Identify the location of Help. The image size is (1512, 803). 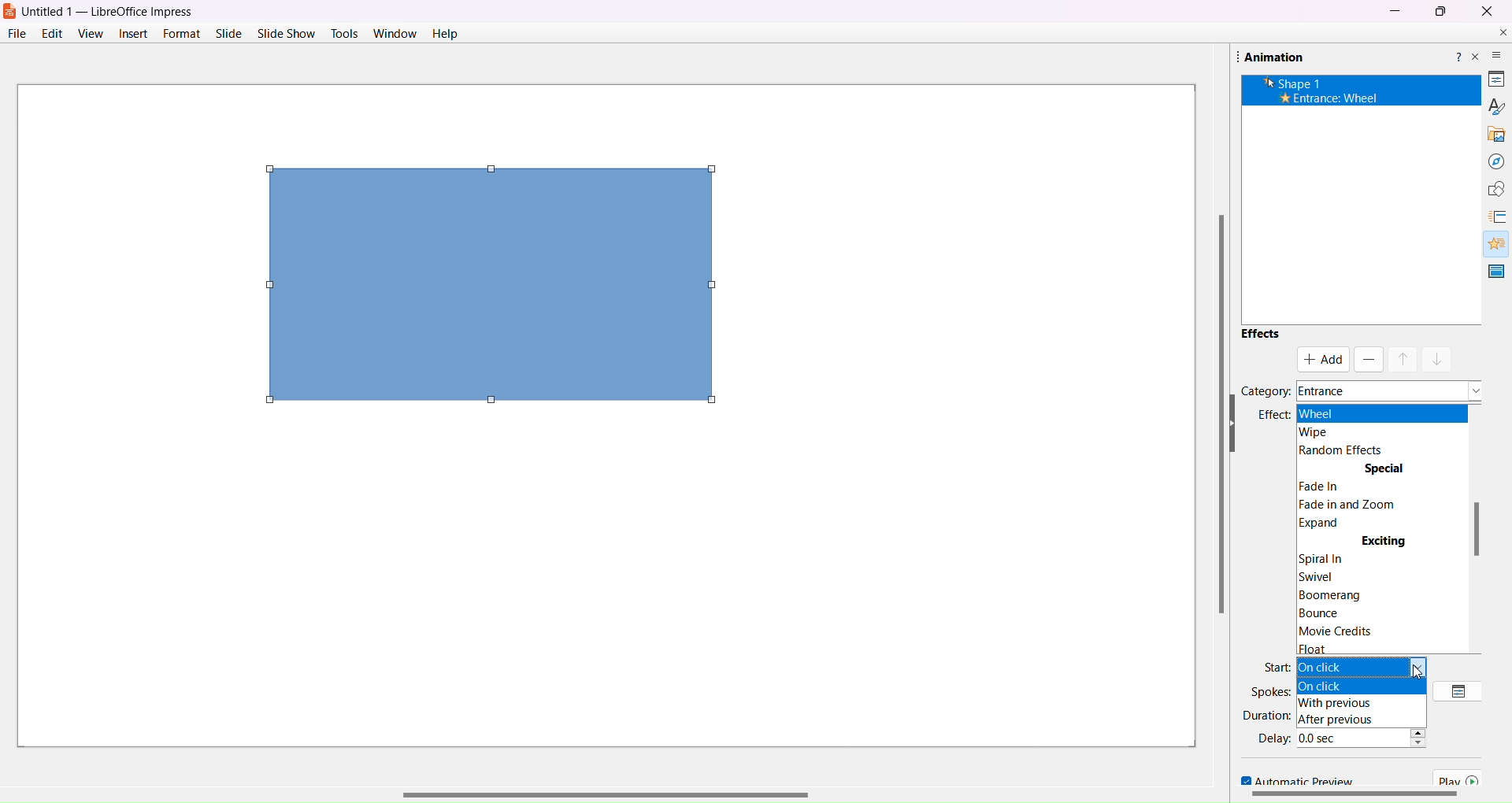
(444, 35).